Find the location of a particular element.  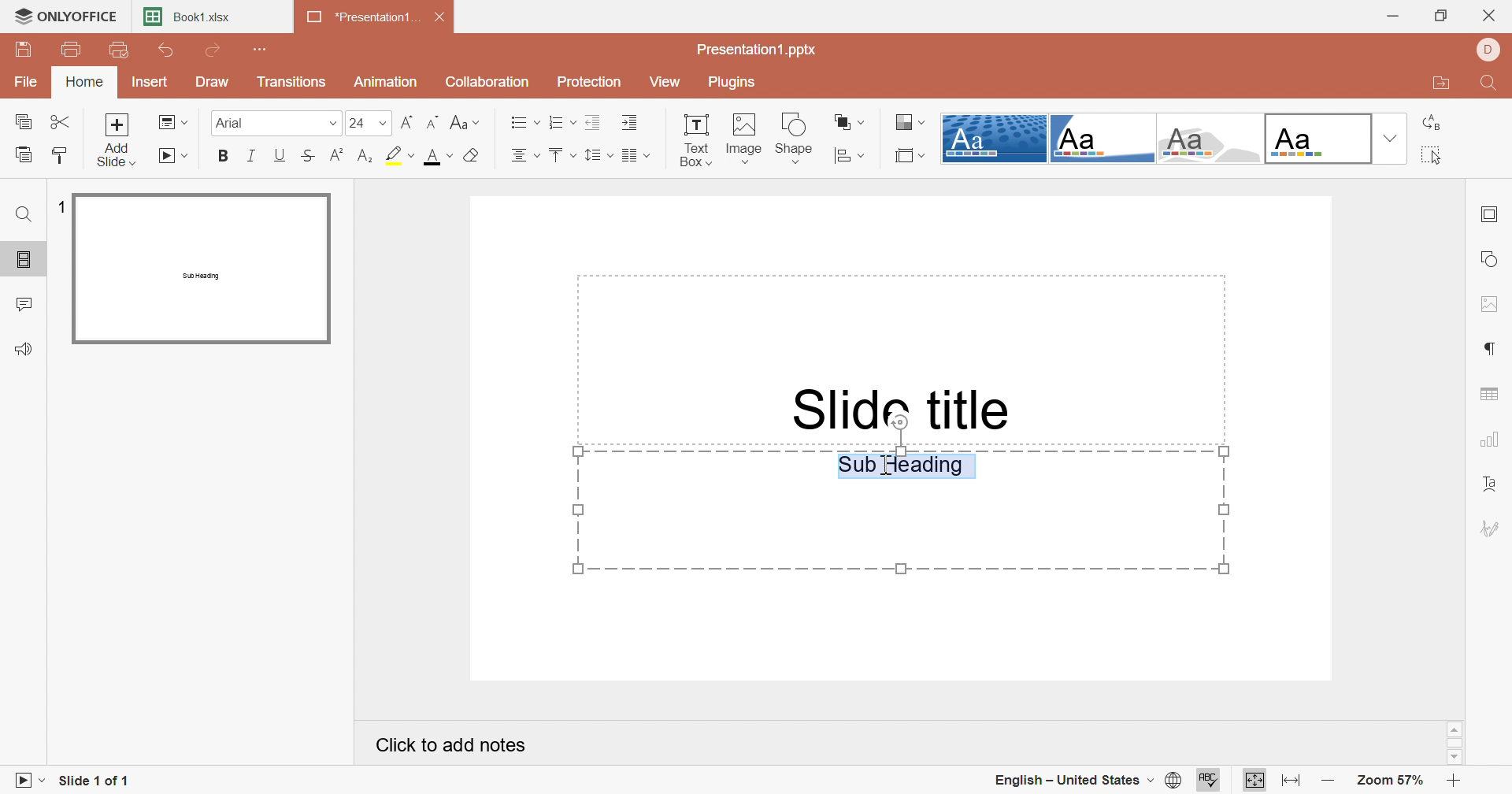

Feedback & Support is located at coordinates (27, 348).